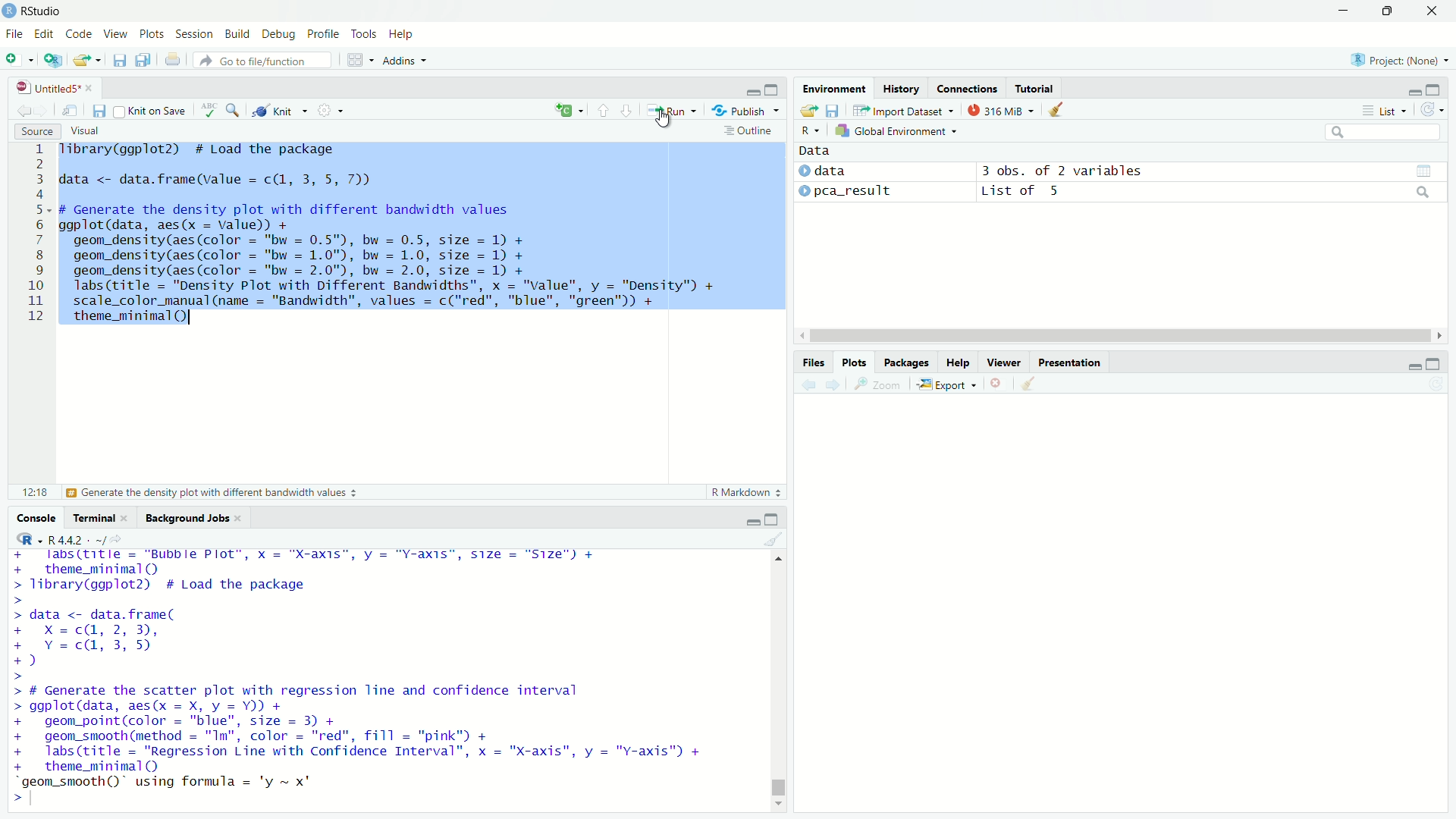  I want to click on Save current document, so click(99, 110).